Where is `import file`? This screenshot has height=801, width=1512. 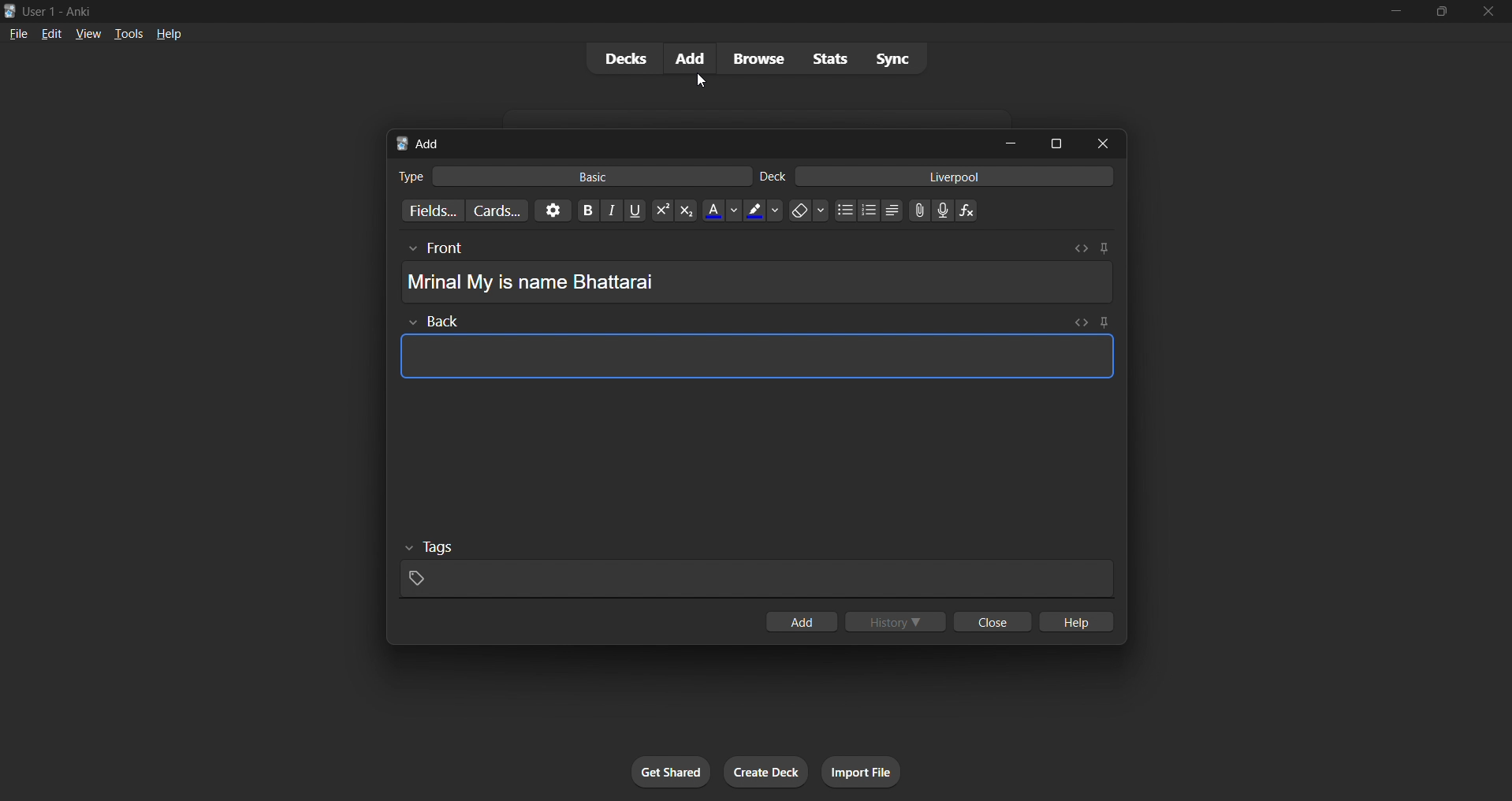
import file is located at coordinates (859, 769).